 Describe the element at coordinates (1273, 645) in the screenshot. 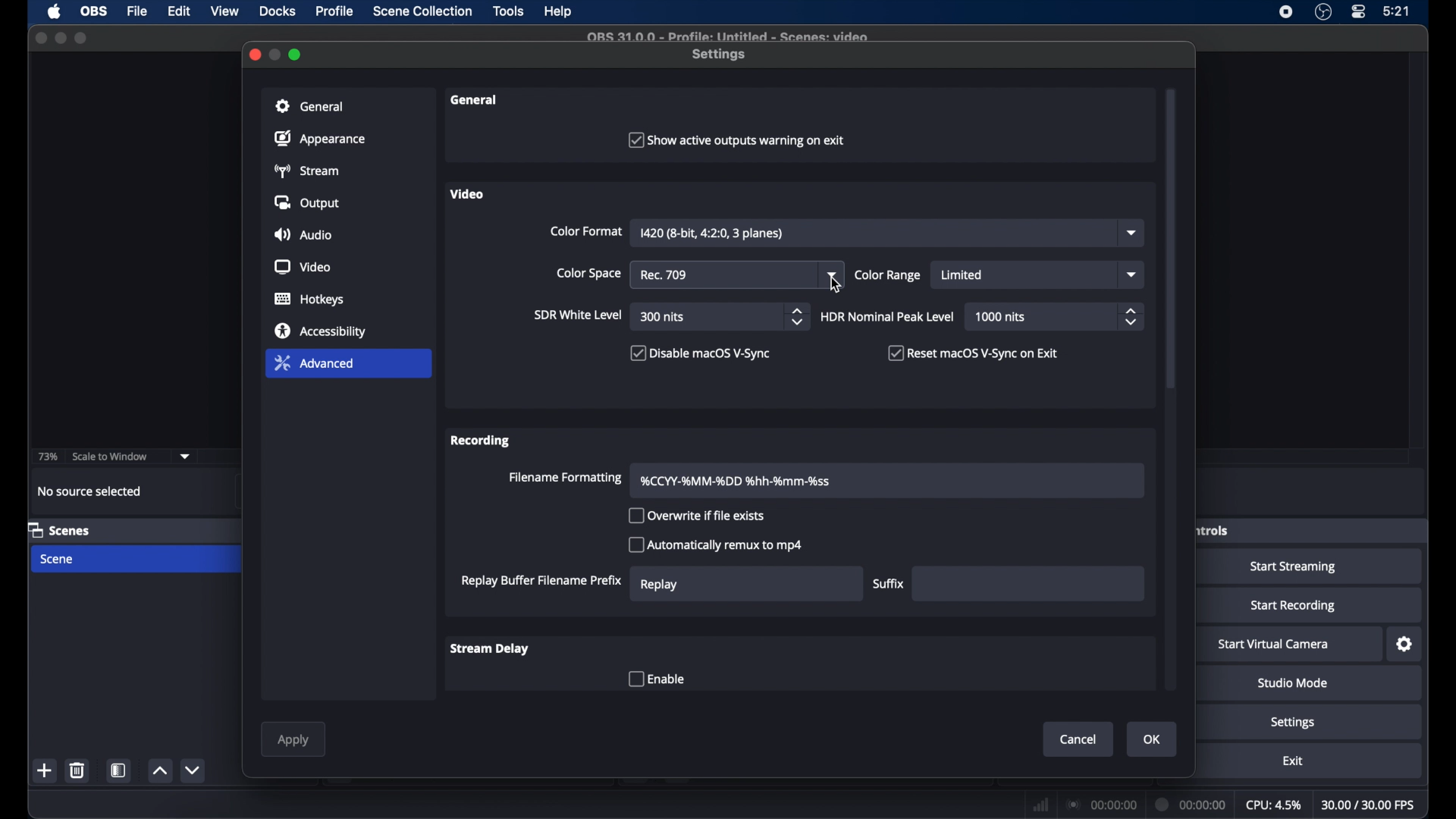

I see `start virtual camera` at that location.